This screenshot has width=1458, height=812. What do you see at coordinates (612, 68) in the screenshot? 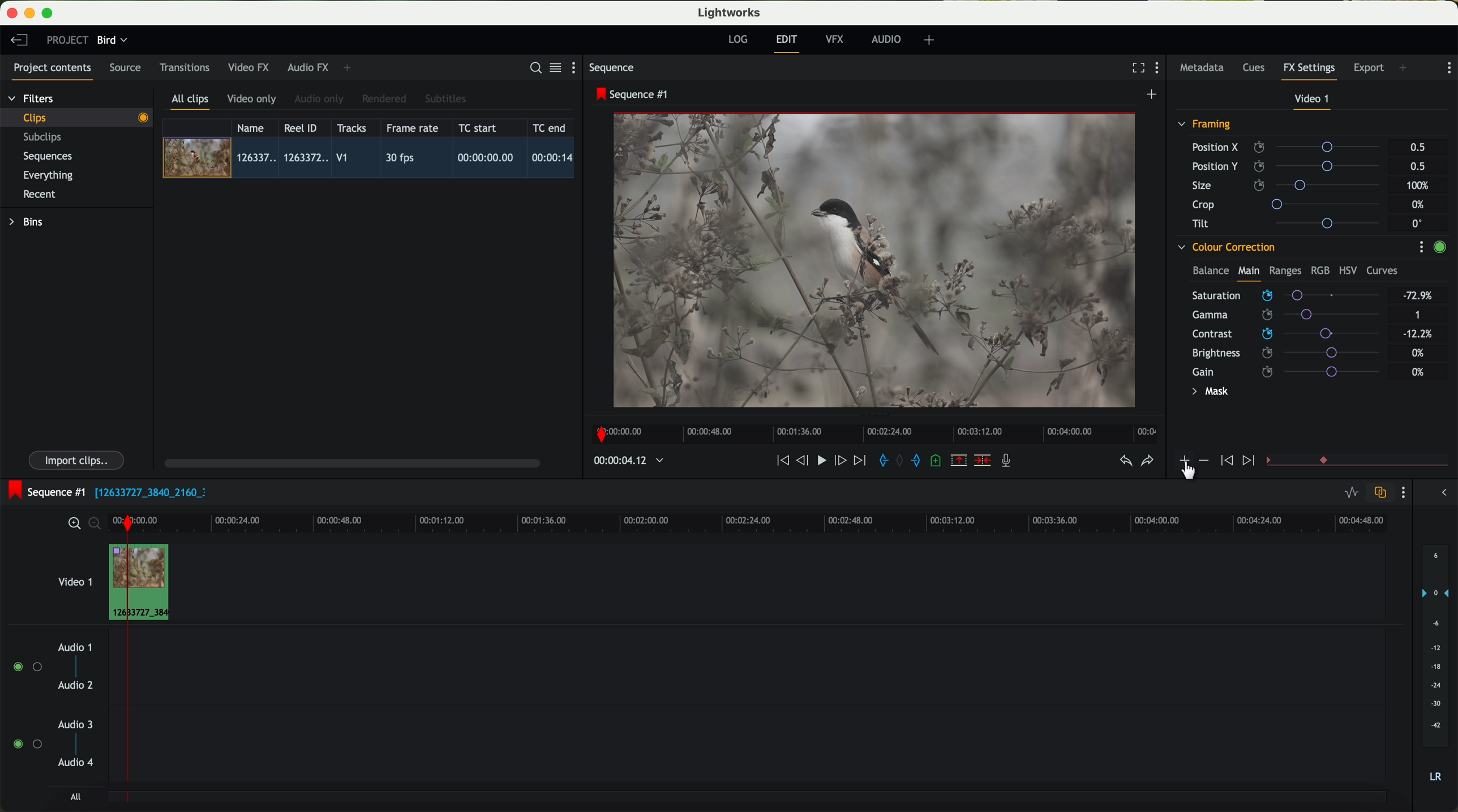
I see `sequence` at bounding box center [612, 68].